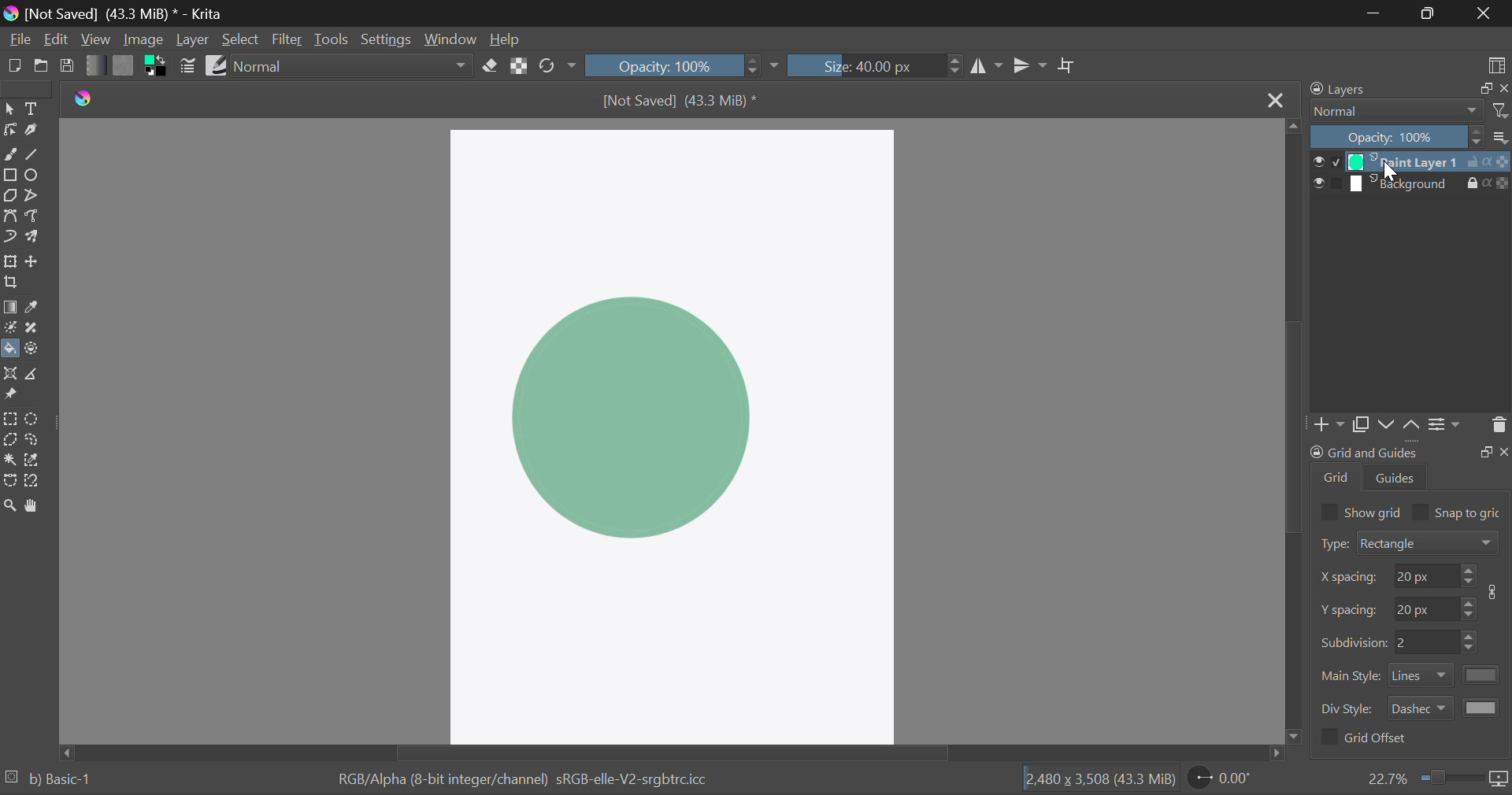 The width and height of the screenshot is (1512, 795). I want to click on Grid Offset, so click(1367, 739).